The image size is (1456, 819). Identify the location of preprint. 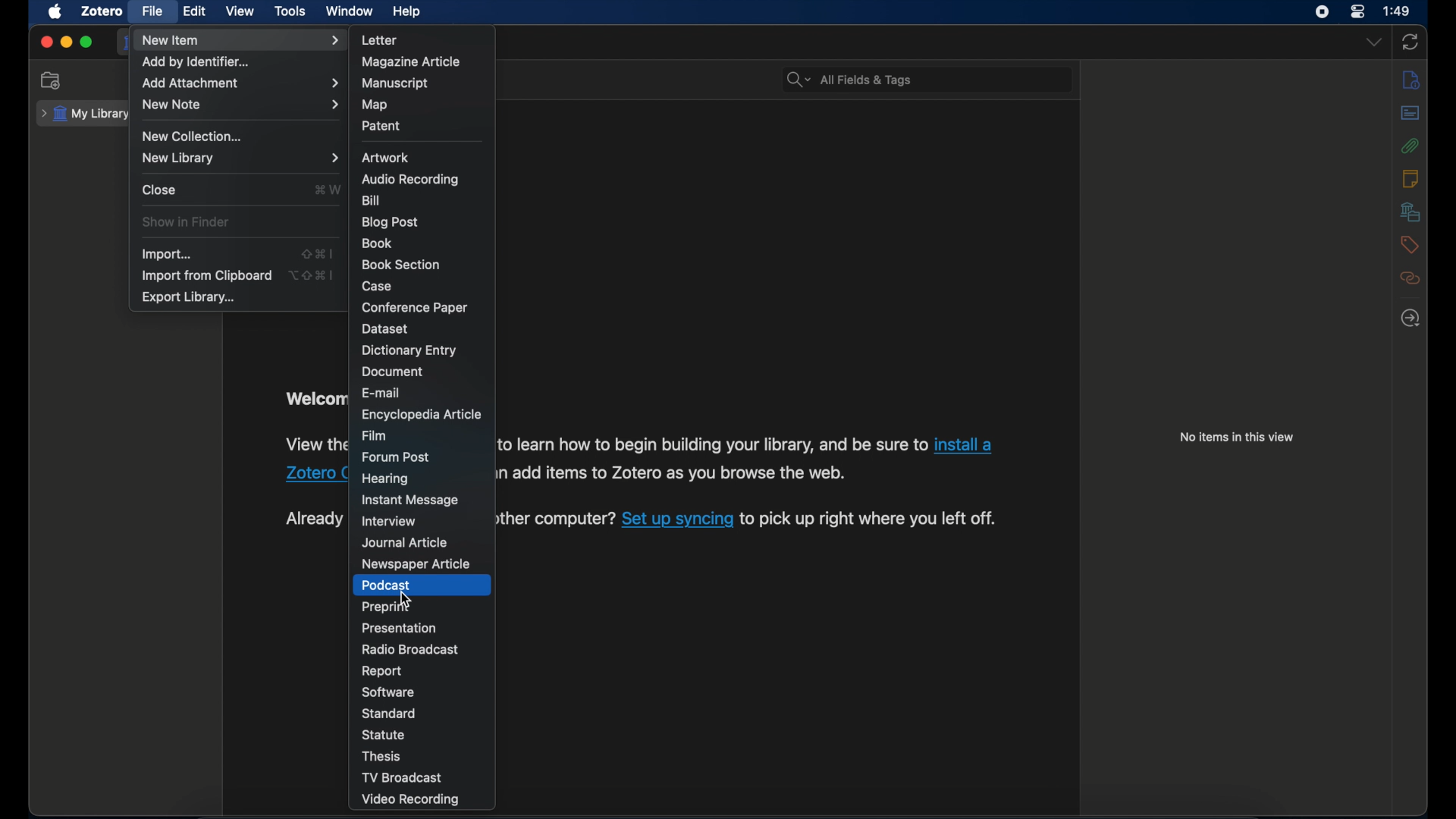
(385, 607).